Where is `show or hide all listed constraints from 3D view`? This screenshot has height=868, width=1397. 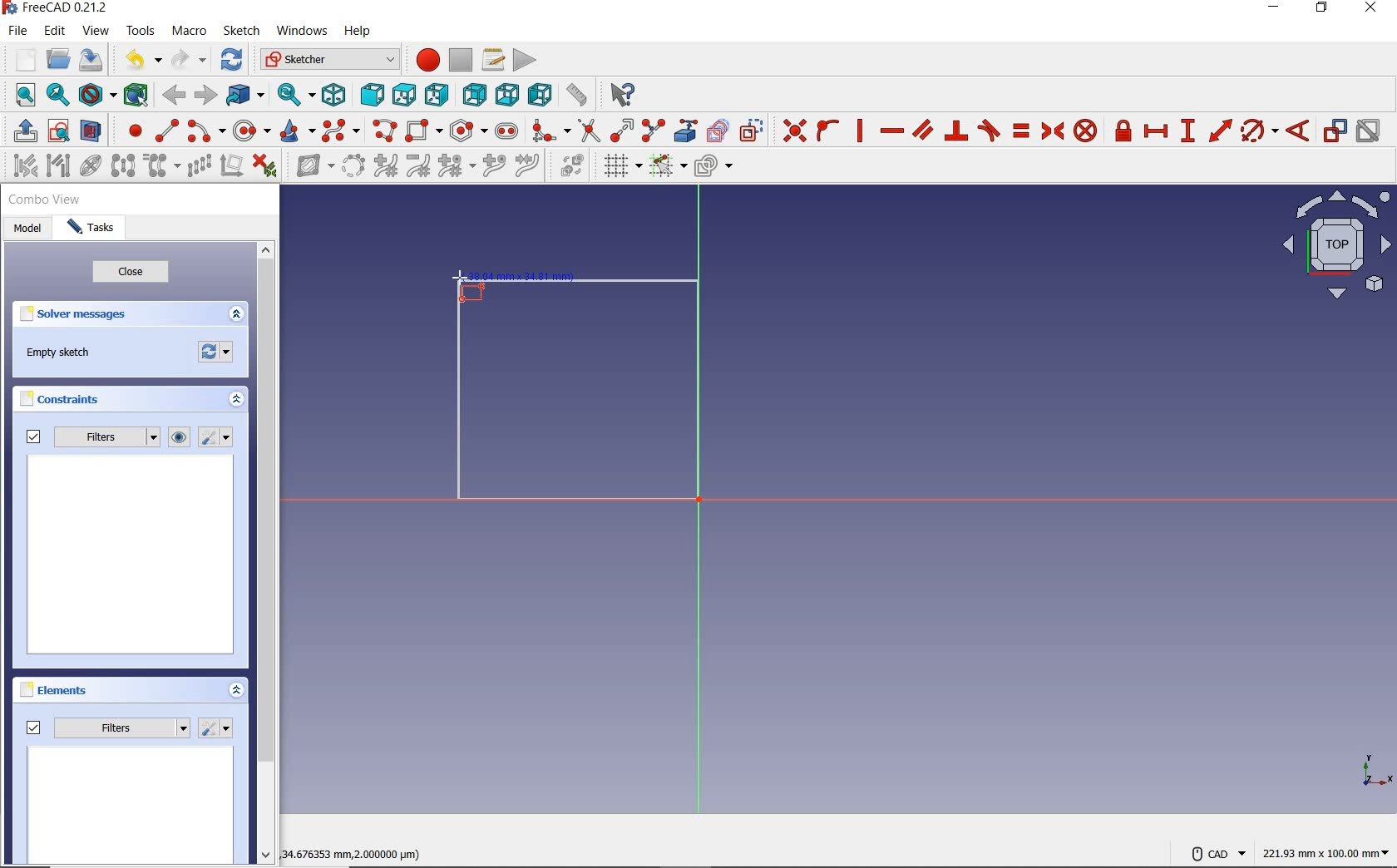
show or hide all listed constraints from 3D view is located at coordinates (180, 437).